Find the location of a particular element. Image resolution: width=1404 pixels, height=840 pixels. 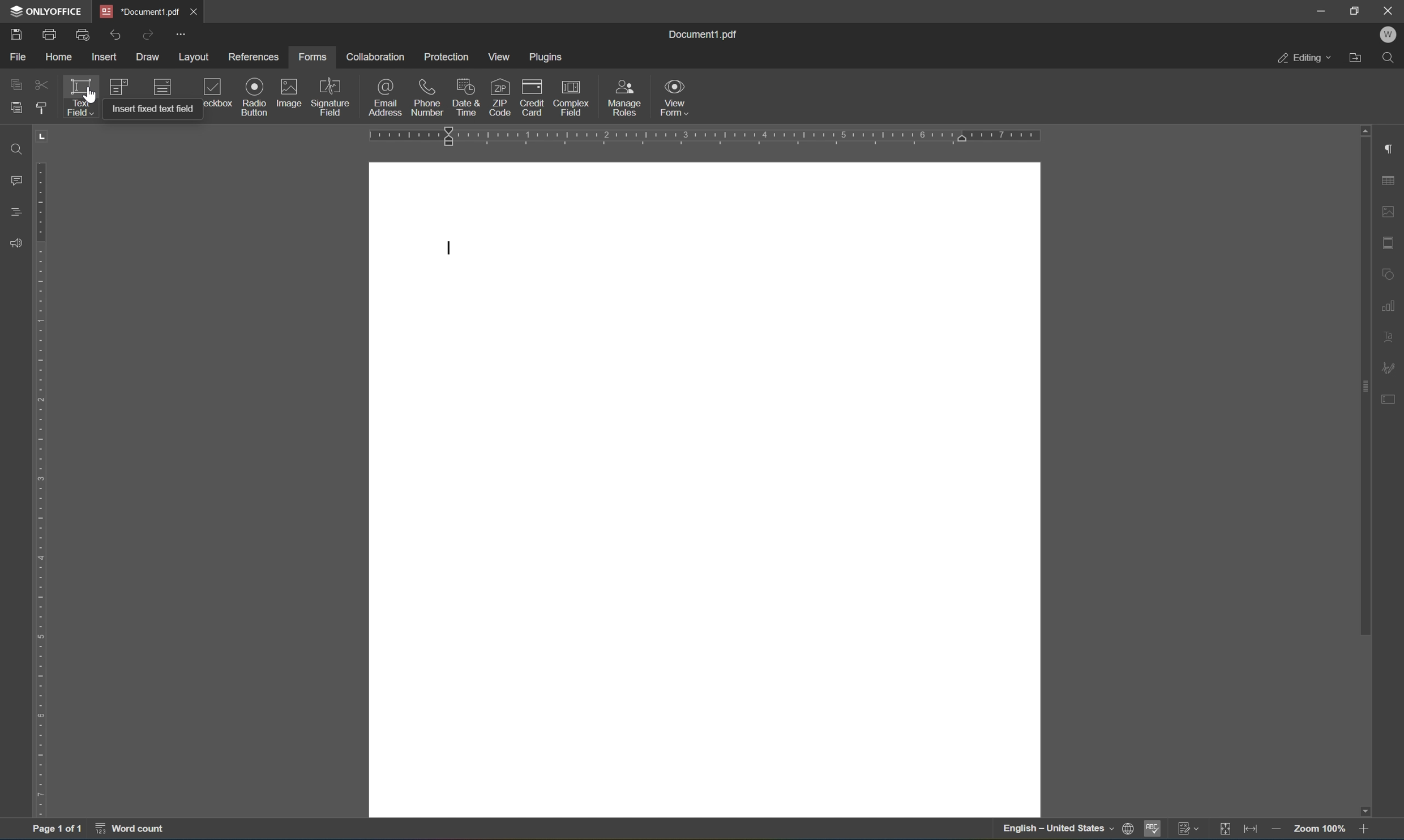

word count is located at coordinates (134, 830).